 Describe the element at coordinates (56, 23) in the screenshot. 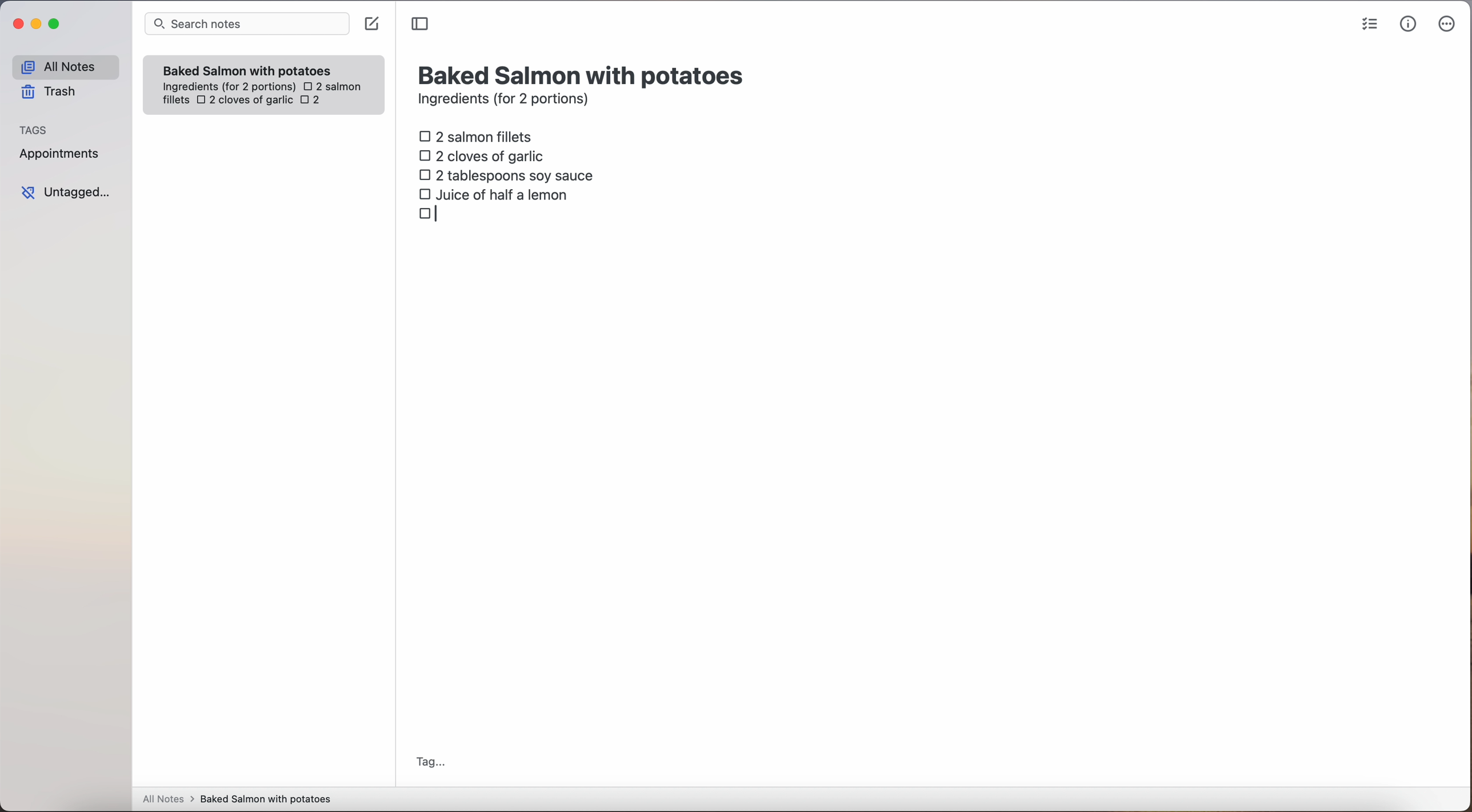

I see `maximize` at that location.